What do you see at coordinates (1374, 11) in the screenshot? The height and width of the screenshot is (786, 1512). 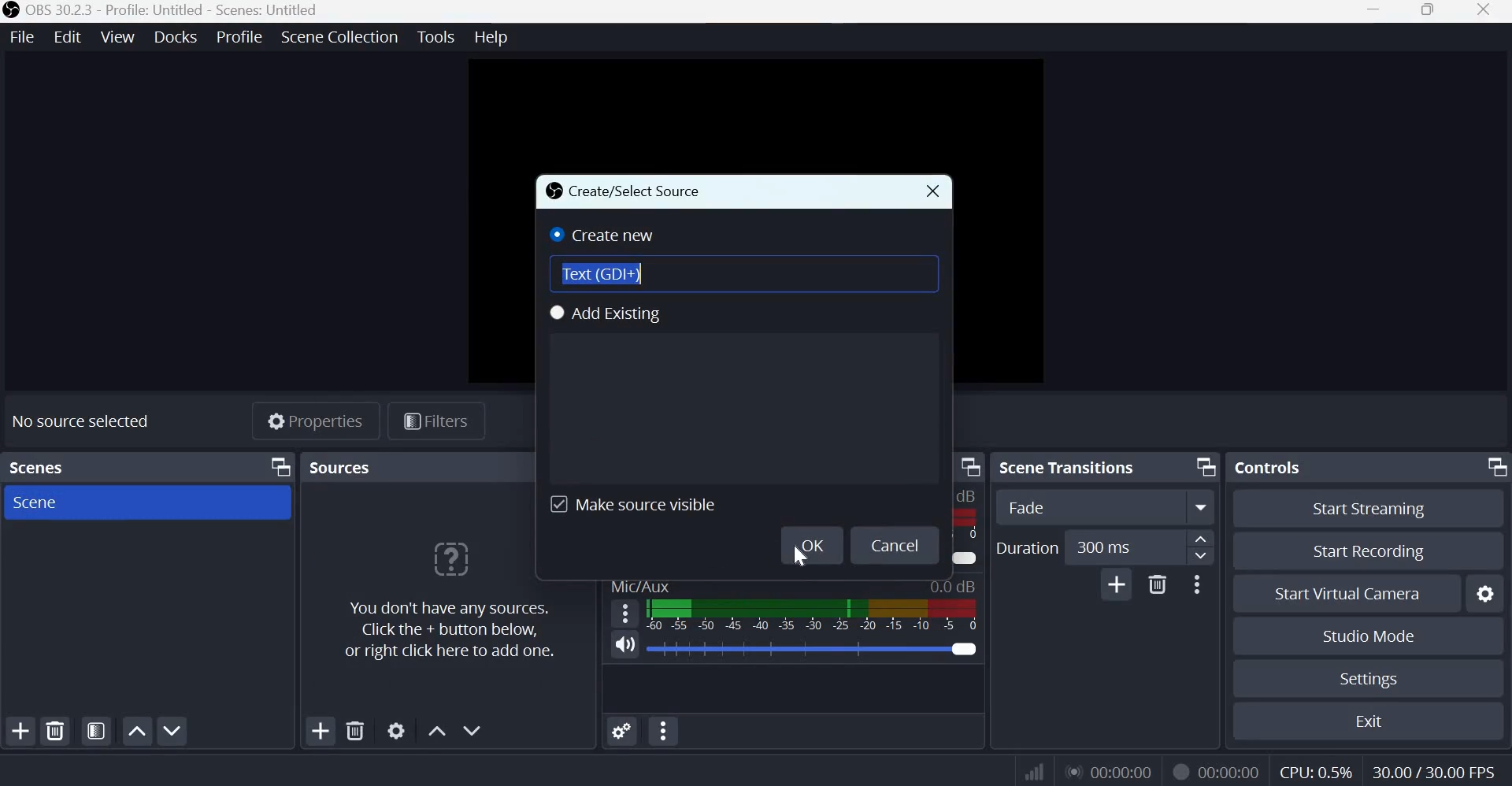 I see `Minimize` at bounding box center [1374, 11].